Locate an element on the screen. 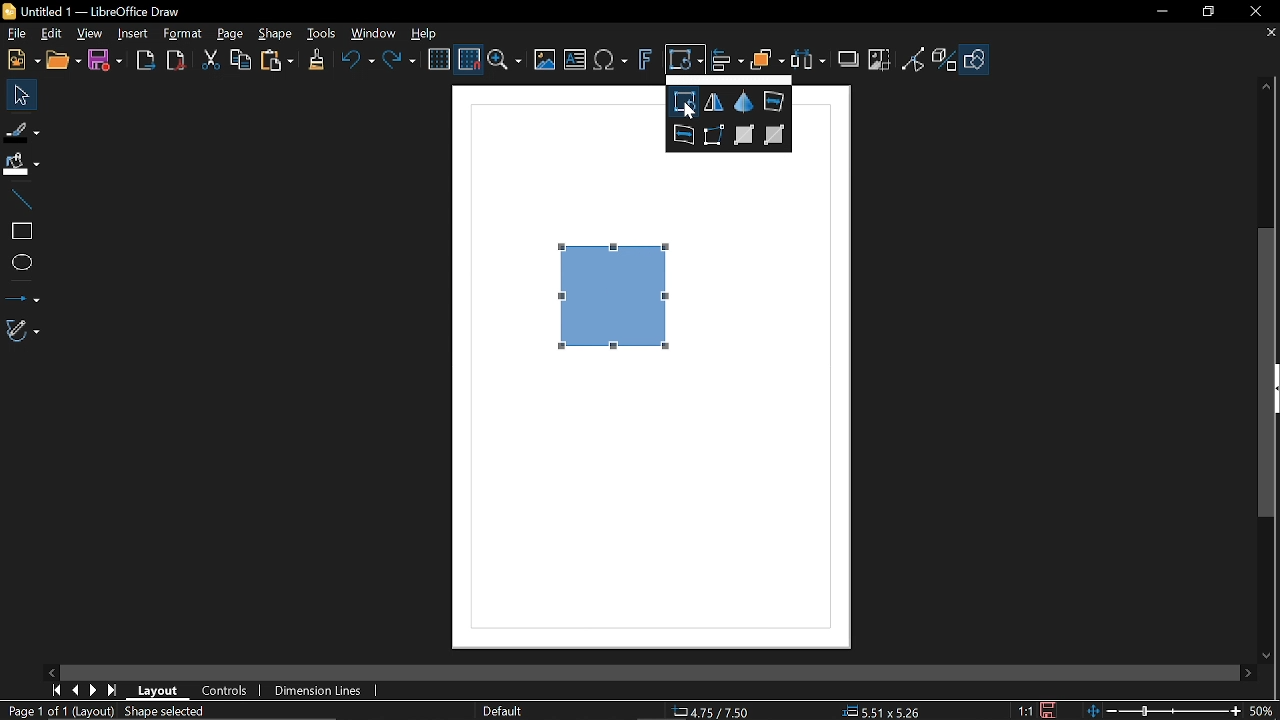 The height and width of the screenshot is (720, 1280). Page 1 of 1 (Layout) is located at coordinates (59, 711).